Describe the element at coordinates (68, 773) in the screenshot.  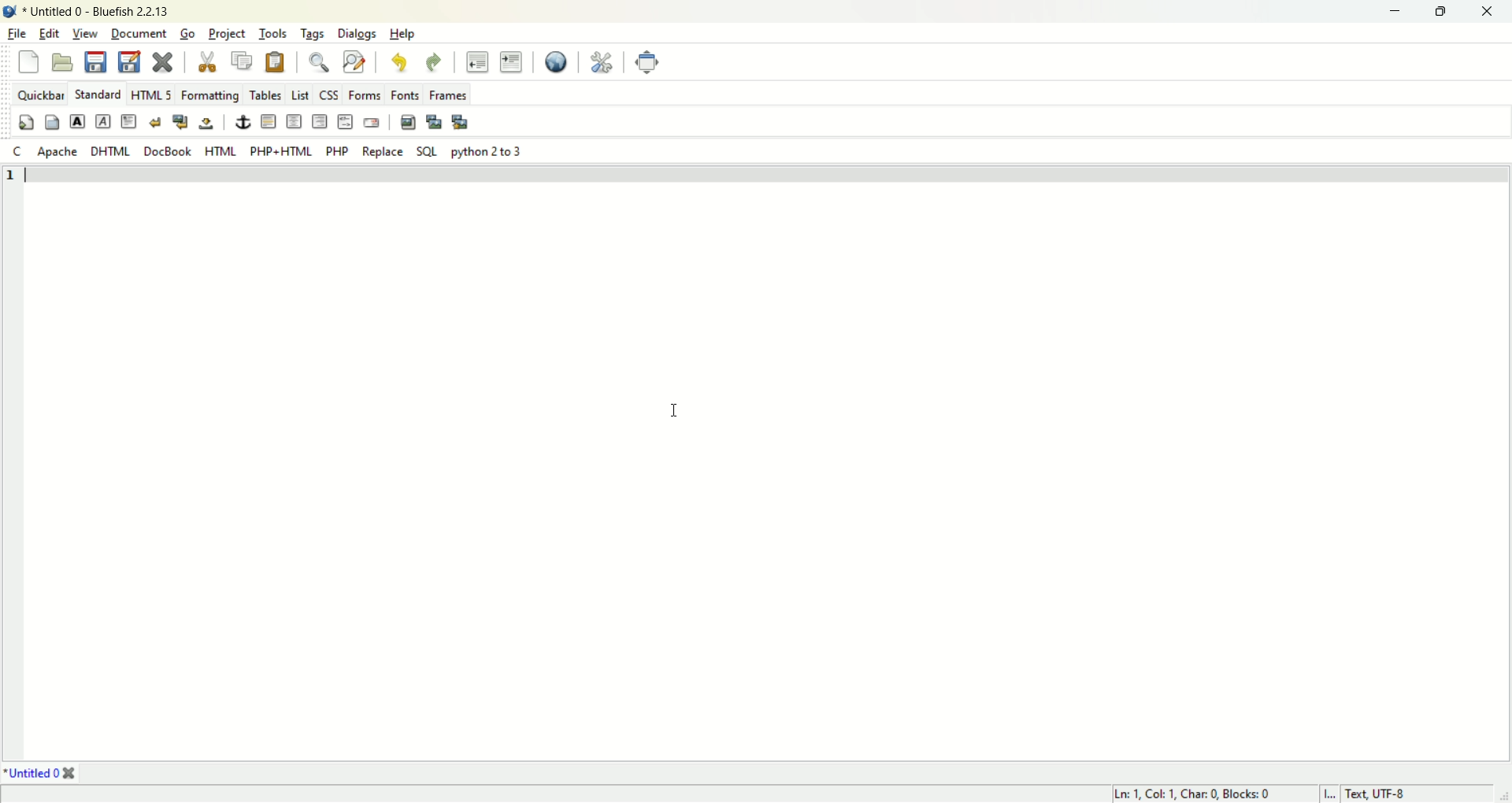
I see `close` at that location.